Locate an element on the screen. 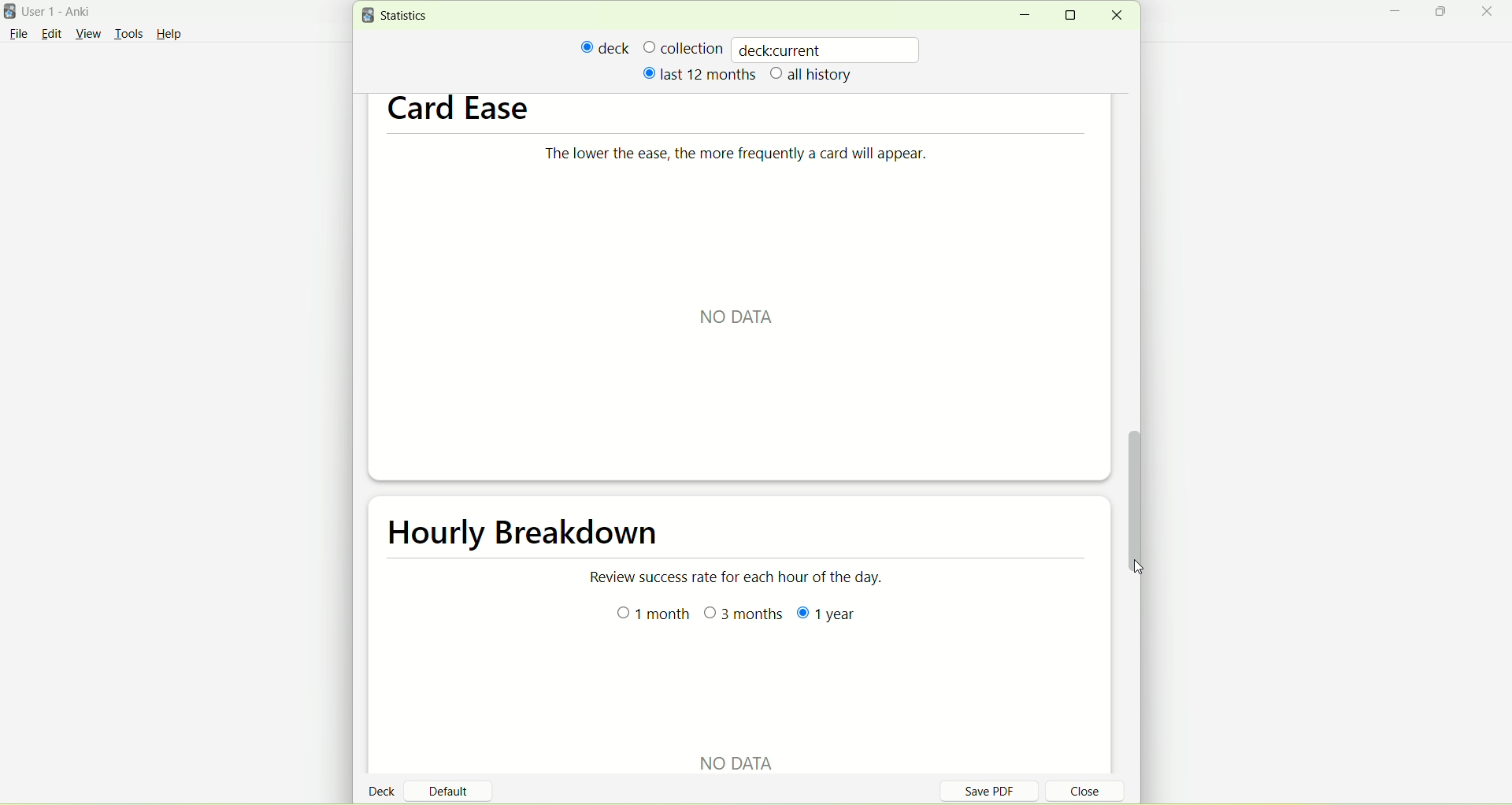  minimize is located at coordinates (1399, 13).